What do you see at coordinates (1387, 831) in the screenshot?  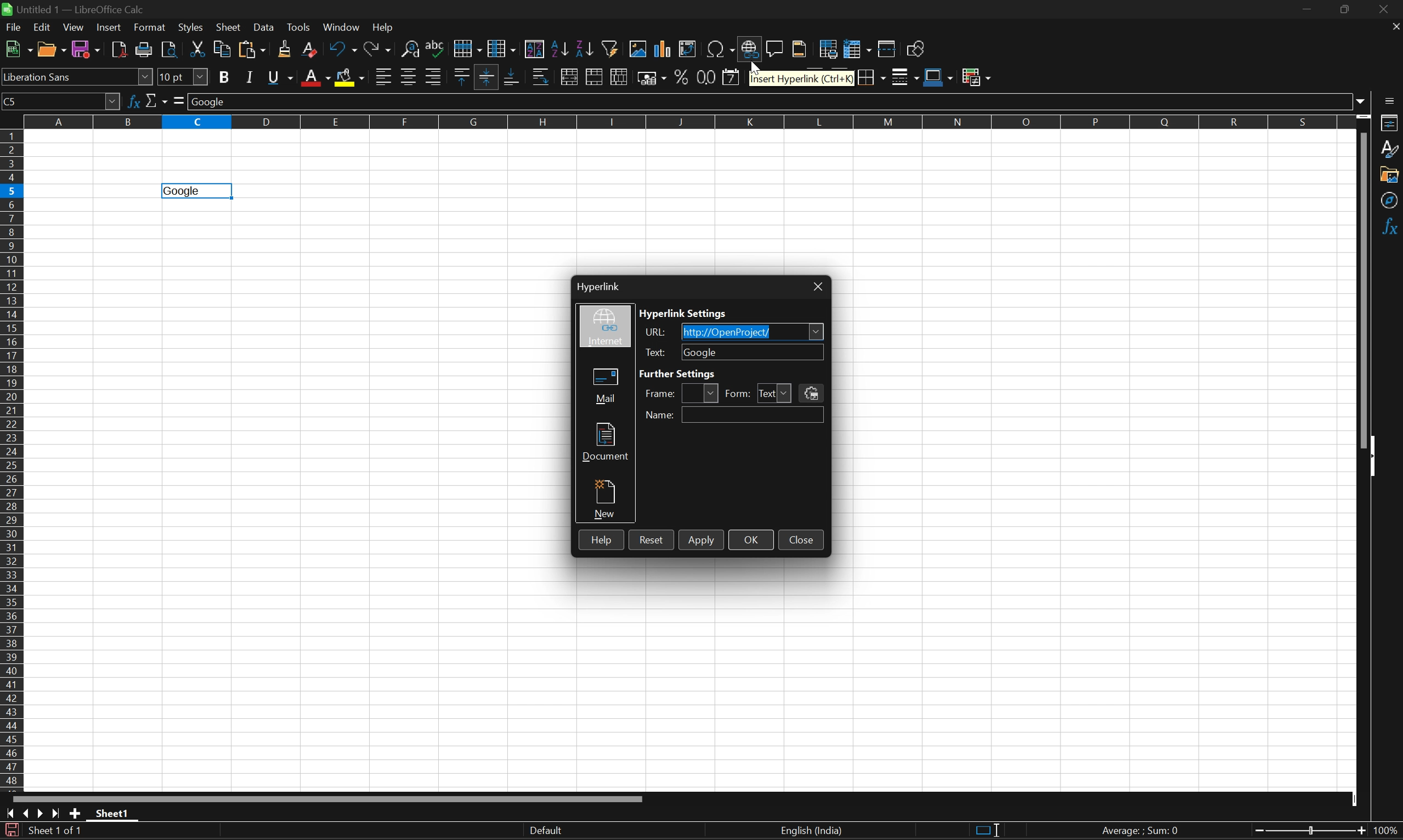 I see `100%` at bounding box center [1387, 831].